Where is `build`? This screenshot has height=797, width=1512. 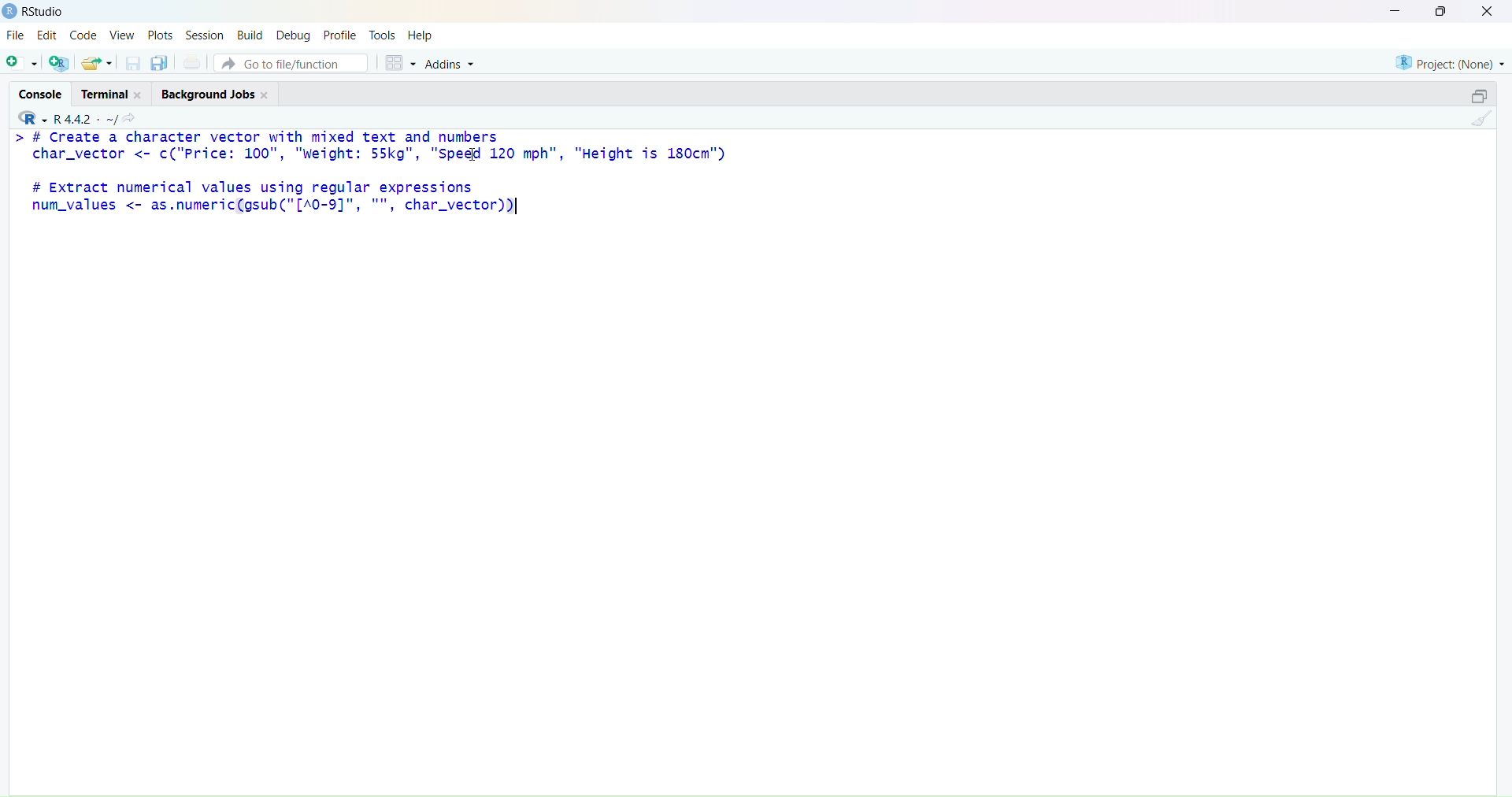 build is located at coordinates (252, 36).